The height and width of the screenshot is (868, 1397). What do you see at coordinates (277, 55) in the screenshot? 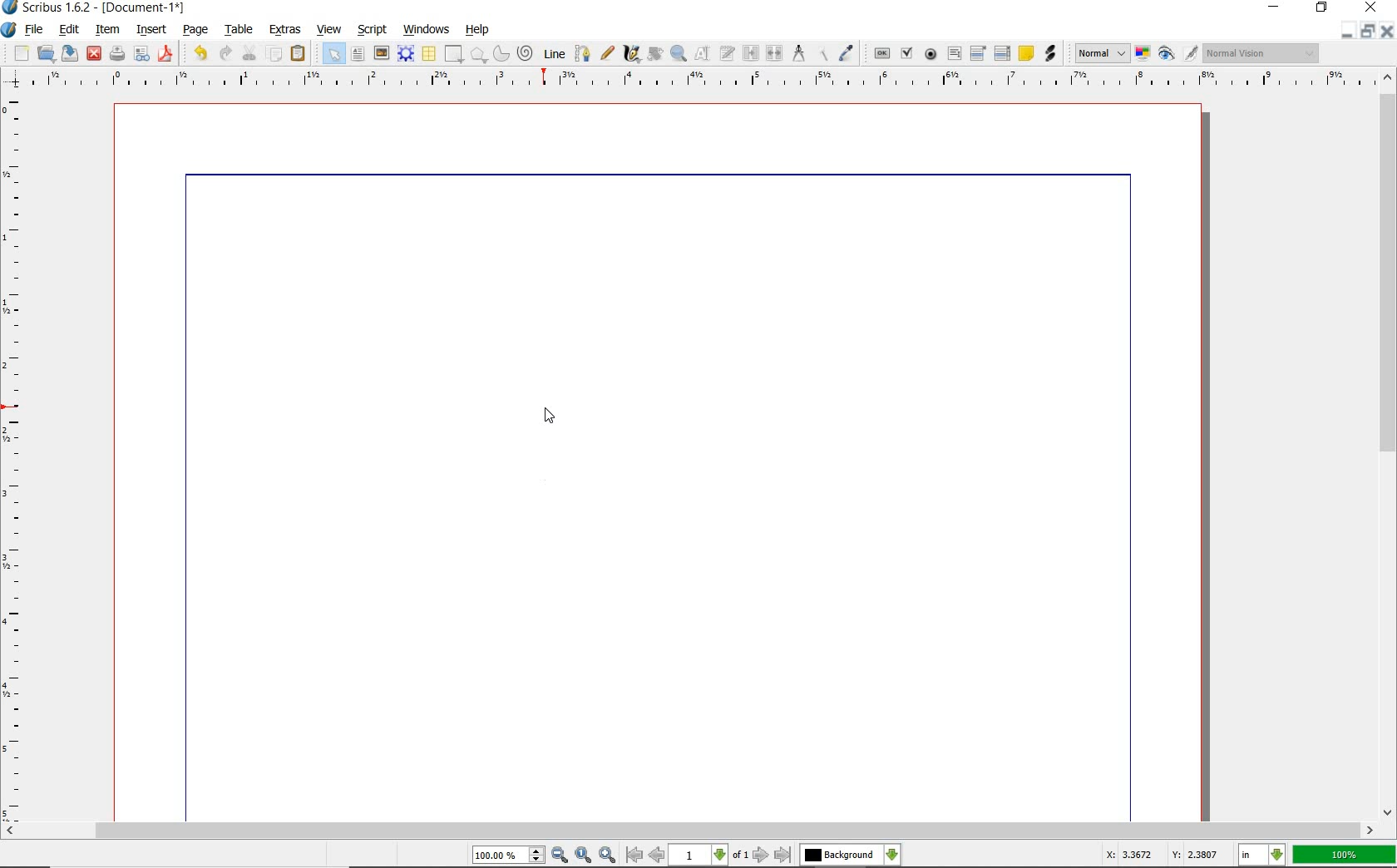
I see `copy` at bounding box center [277, 55].